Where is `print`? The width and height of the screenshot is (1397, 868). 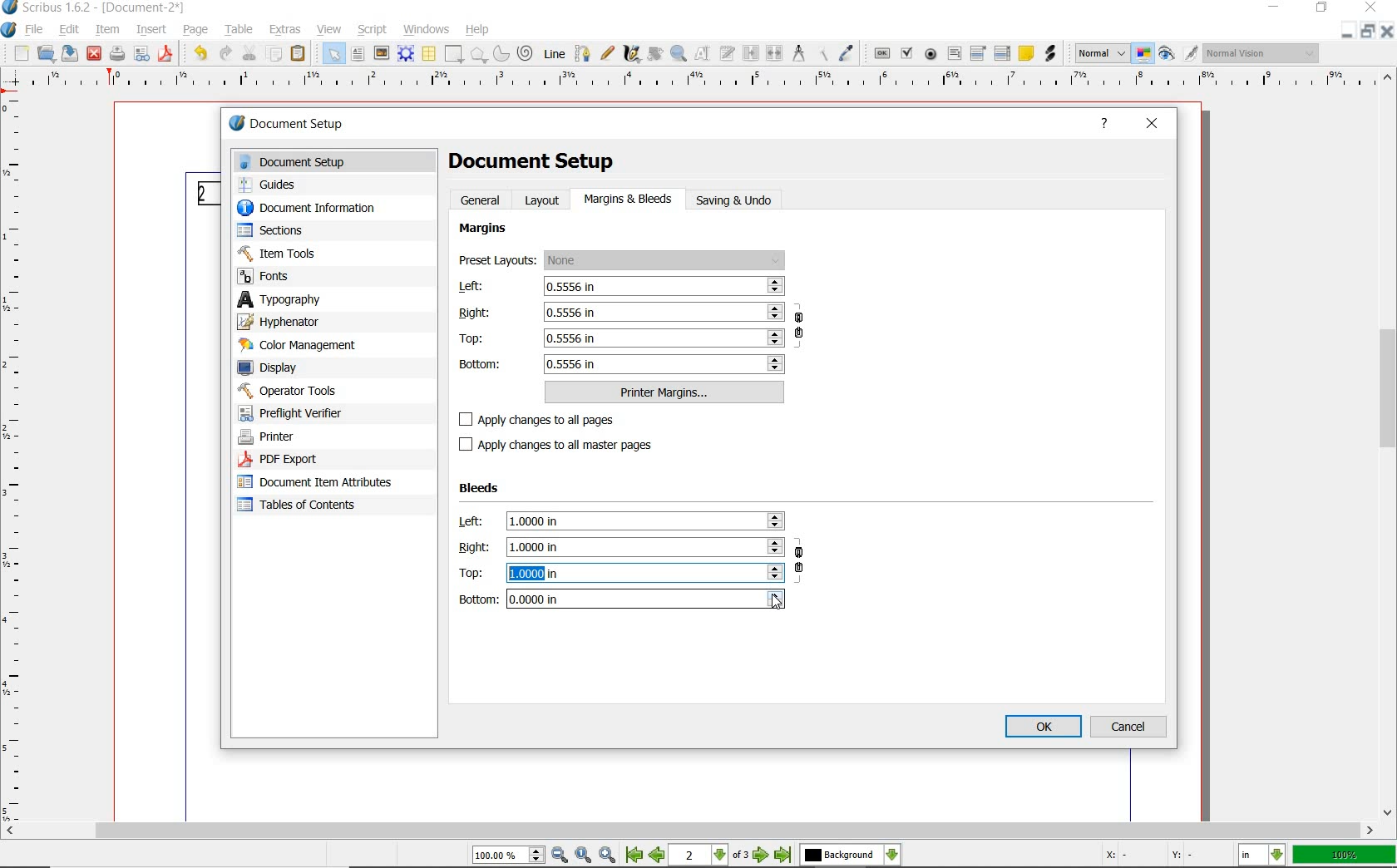 print is located at coordinates (116, 53).